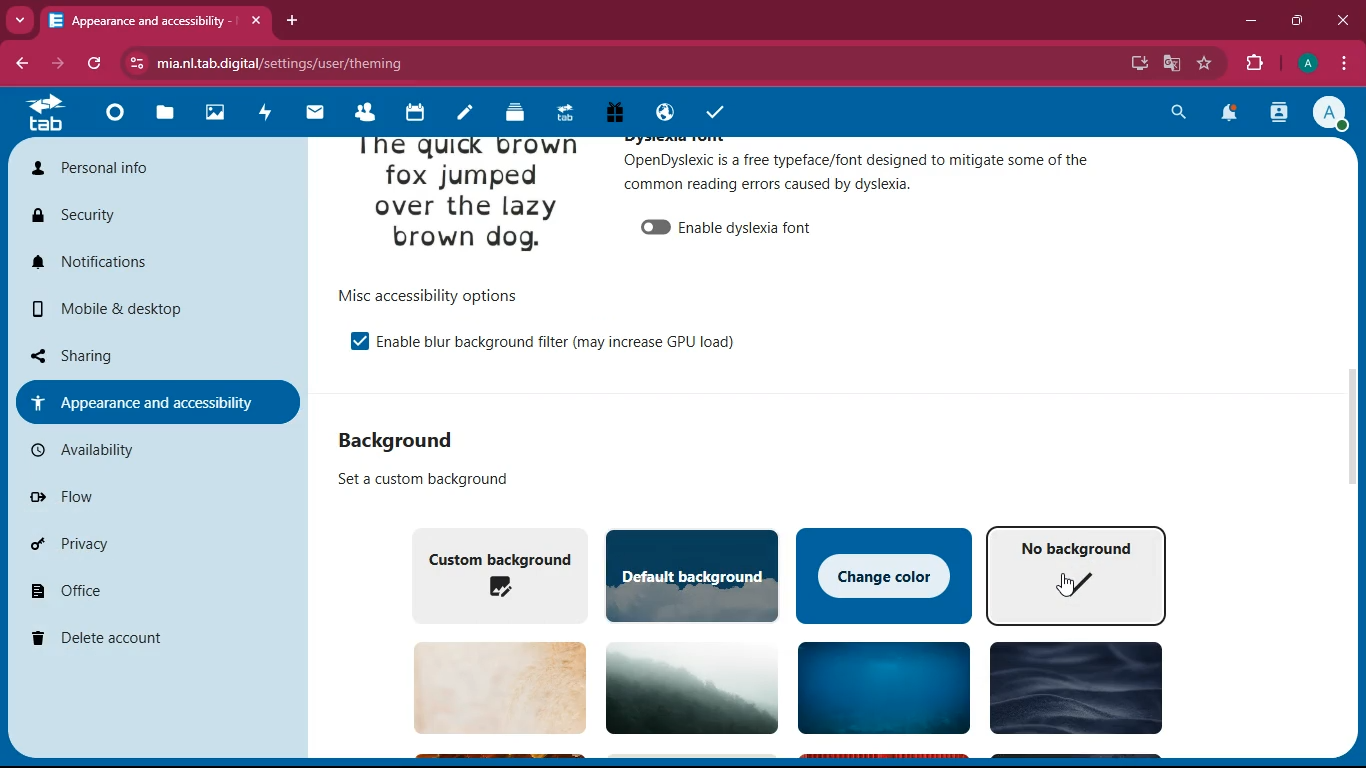  What do you see at coordinates (1334, 114) in the screenshot?
I see `profile` at bounding box center [1334, 114].